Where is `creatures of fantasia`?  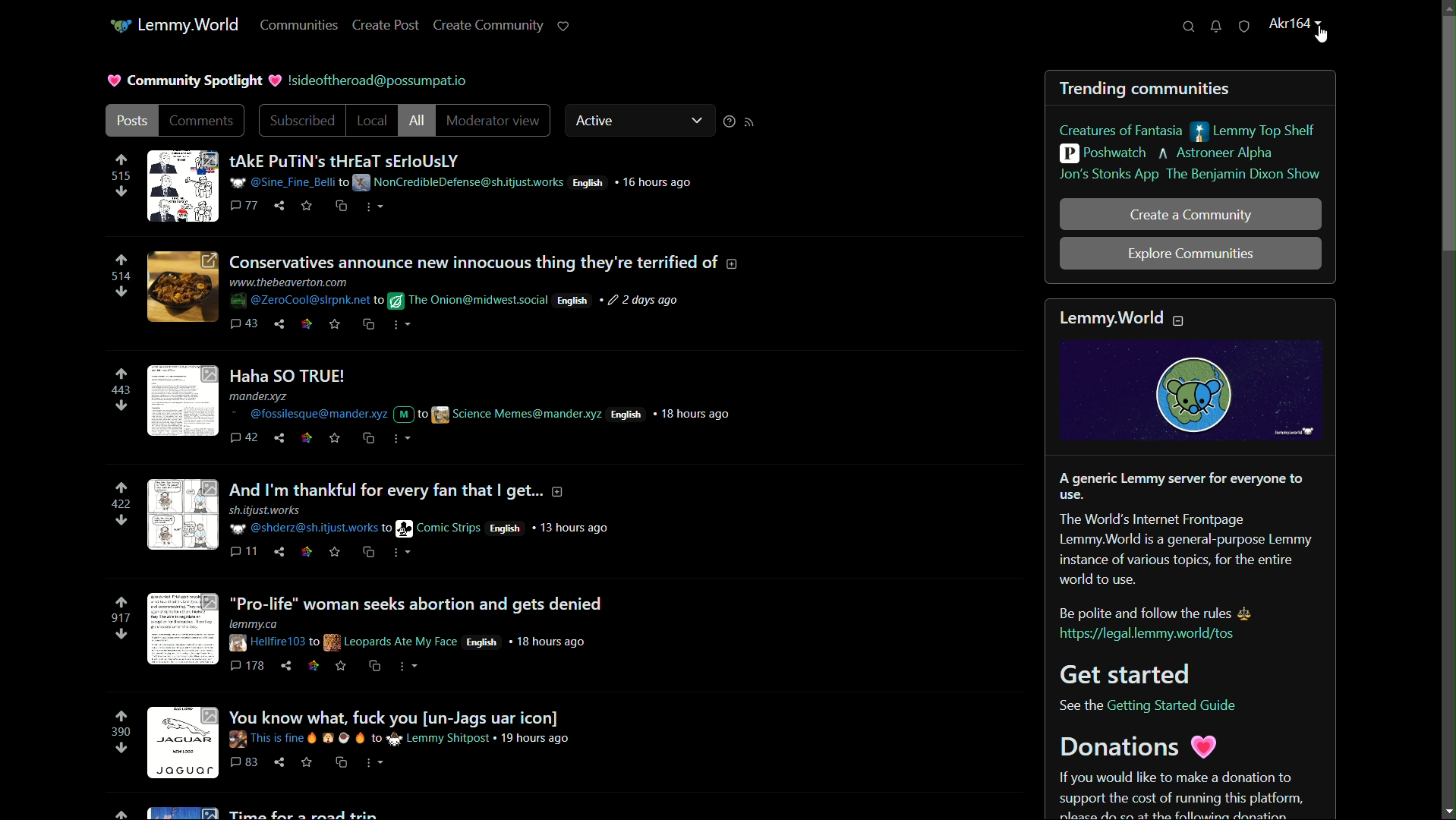 creatures of fantasia is located at coordinates (1120, 132).